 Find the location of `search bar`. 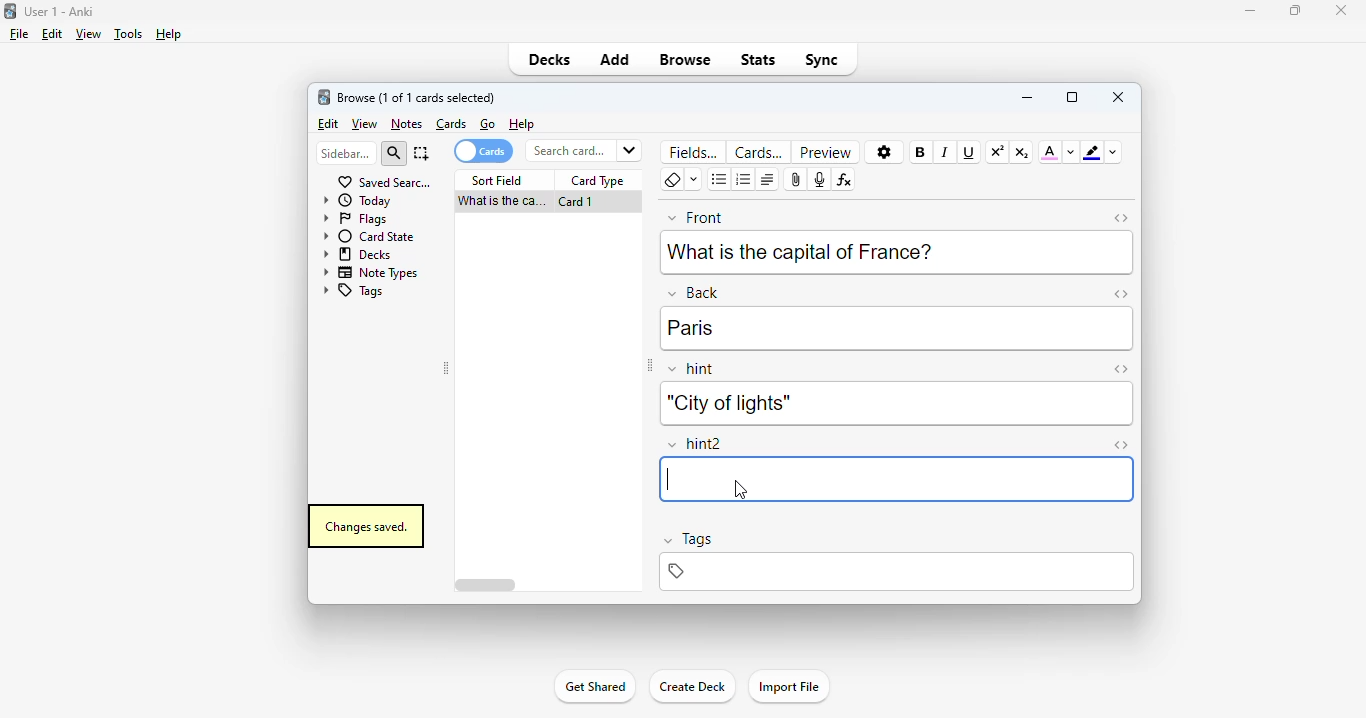

search bar is located at coordinates (582, 150).